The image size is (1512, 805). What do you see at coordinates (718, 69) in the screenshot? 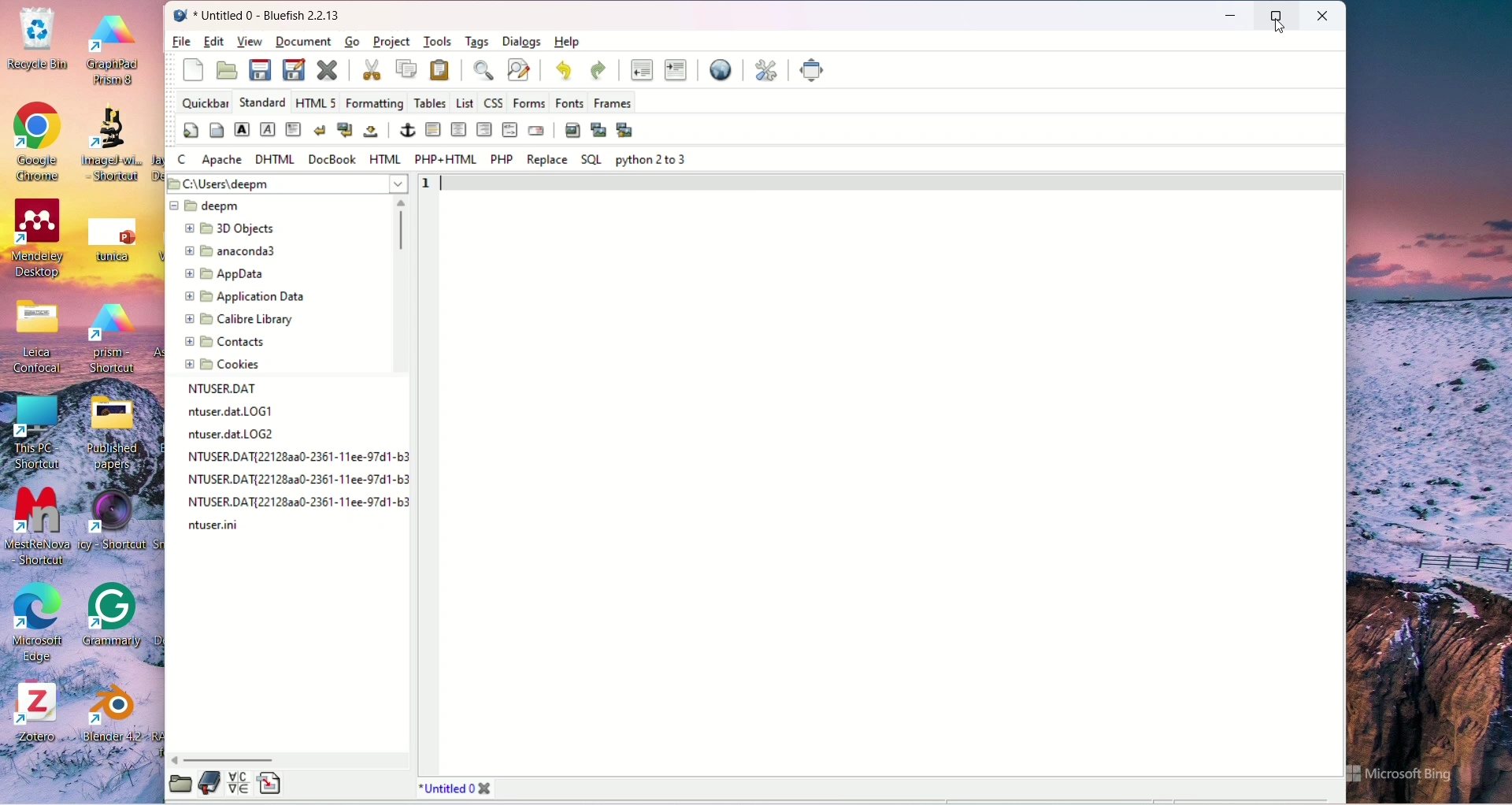
I see `preview in browser` at bounding box center [718, 69].